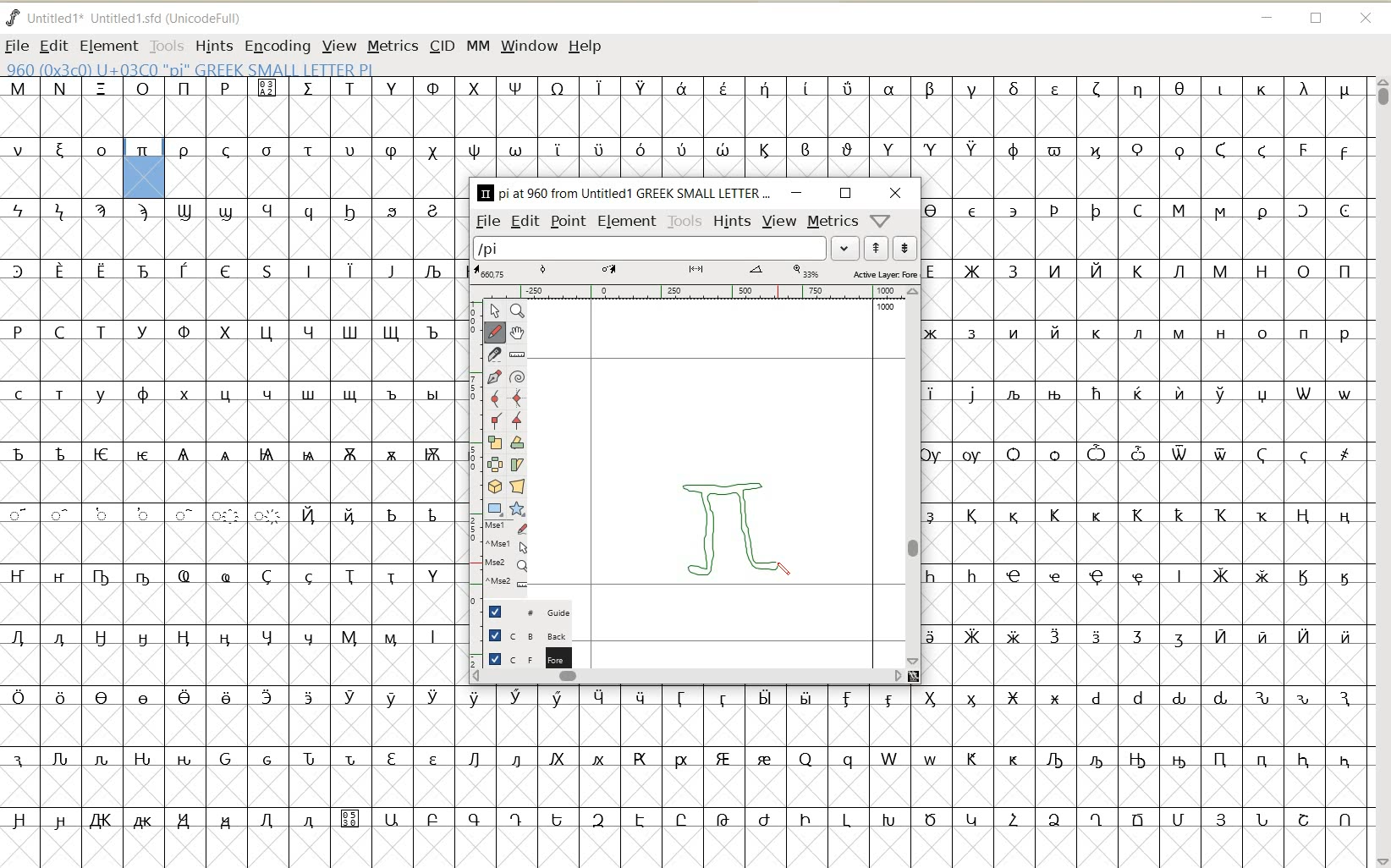 The height and width of the screenshot is (868, 1391). Describe the element at coordinates (519, 376) in the screenshot. I see `change whether spiro is active or not` at that location.